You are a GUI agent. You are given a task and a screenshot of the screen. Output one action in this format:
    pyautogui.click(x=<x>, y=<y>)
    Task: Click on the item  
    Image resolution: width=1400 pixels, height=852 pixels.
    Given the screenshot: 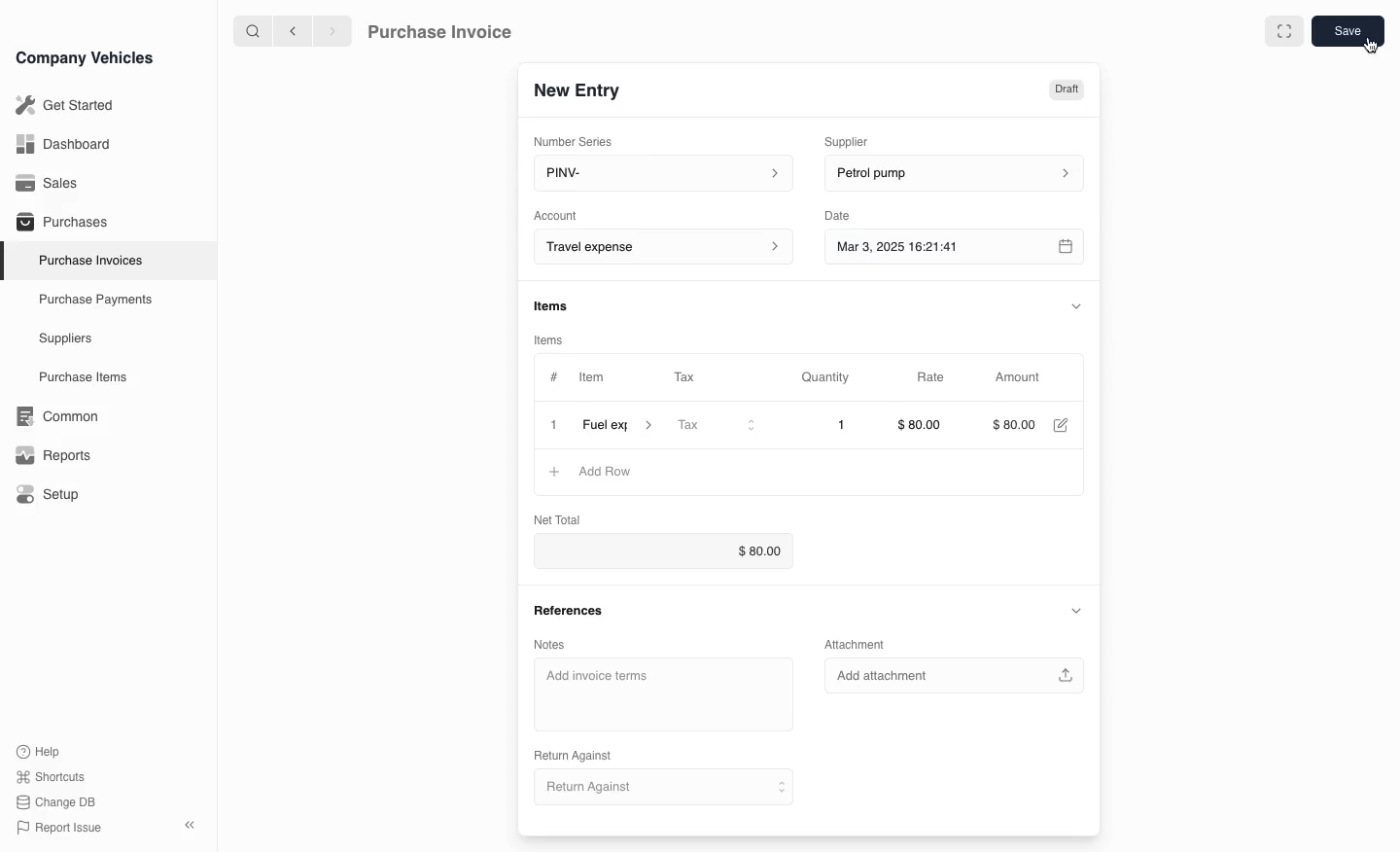 What is the action you would take?
    pyautogui.click(x=617, y=428)
    